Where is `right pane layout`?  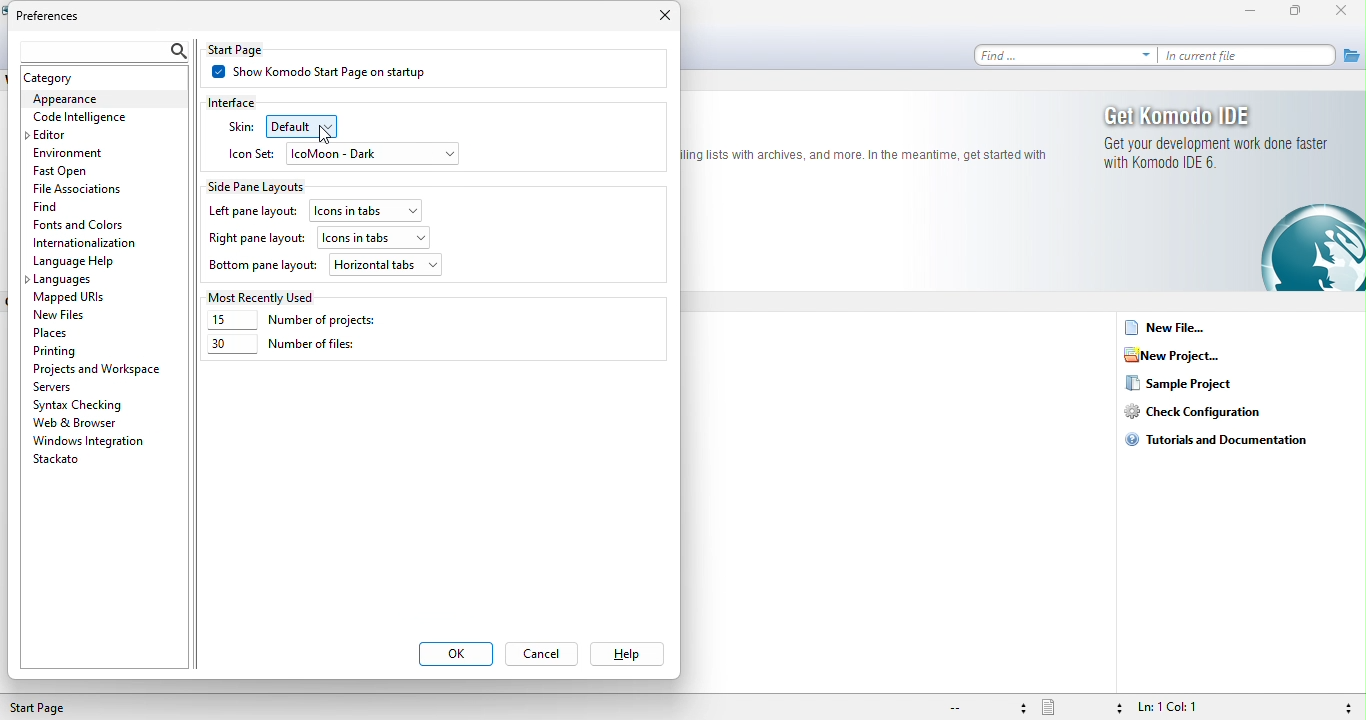 right pane layout is located at coordinates (256, 240).